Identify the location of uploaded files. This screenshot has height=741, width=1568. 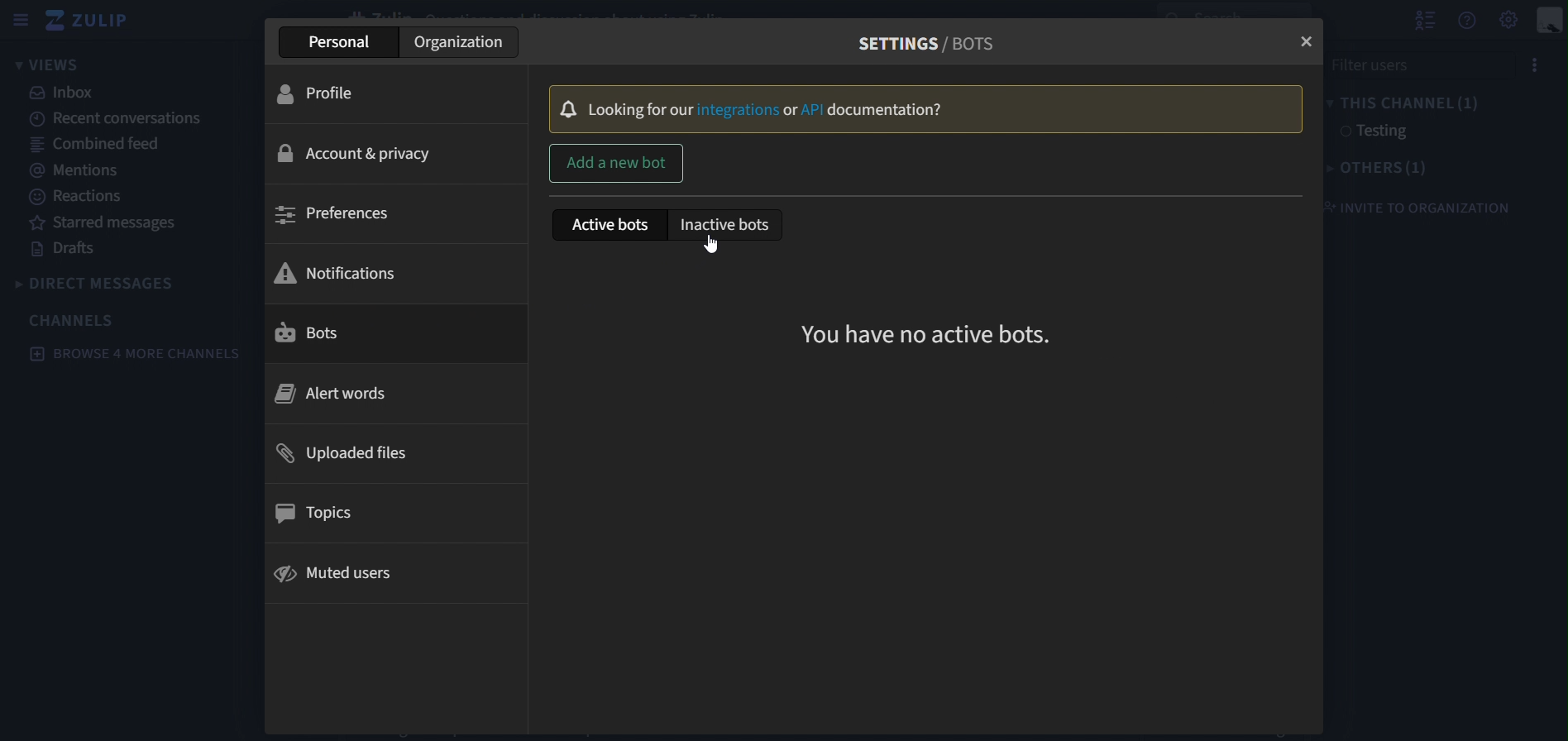
(355, 456).